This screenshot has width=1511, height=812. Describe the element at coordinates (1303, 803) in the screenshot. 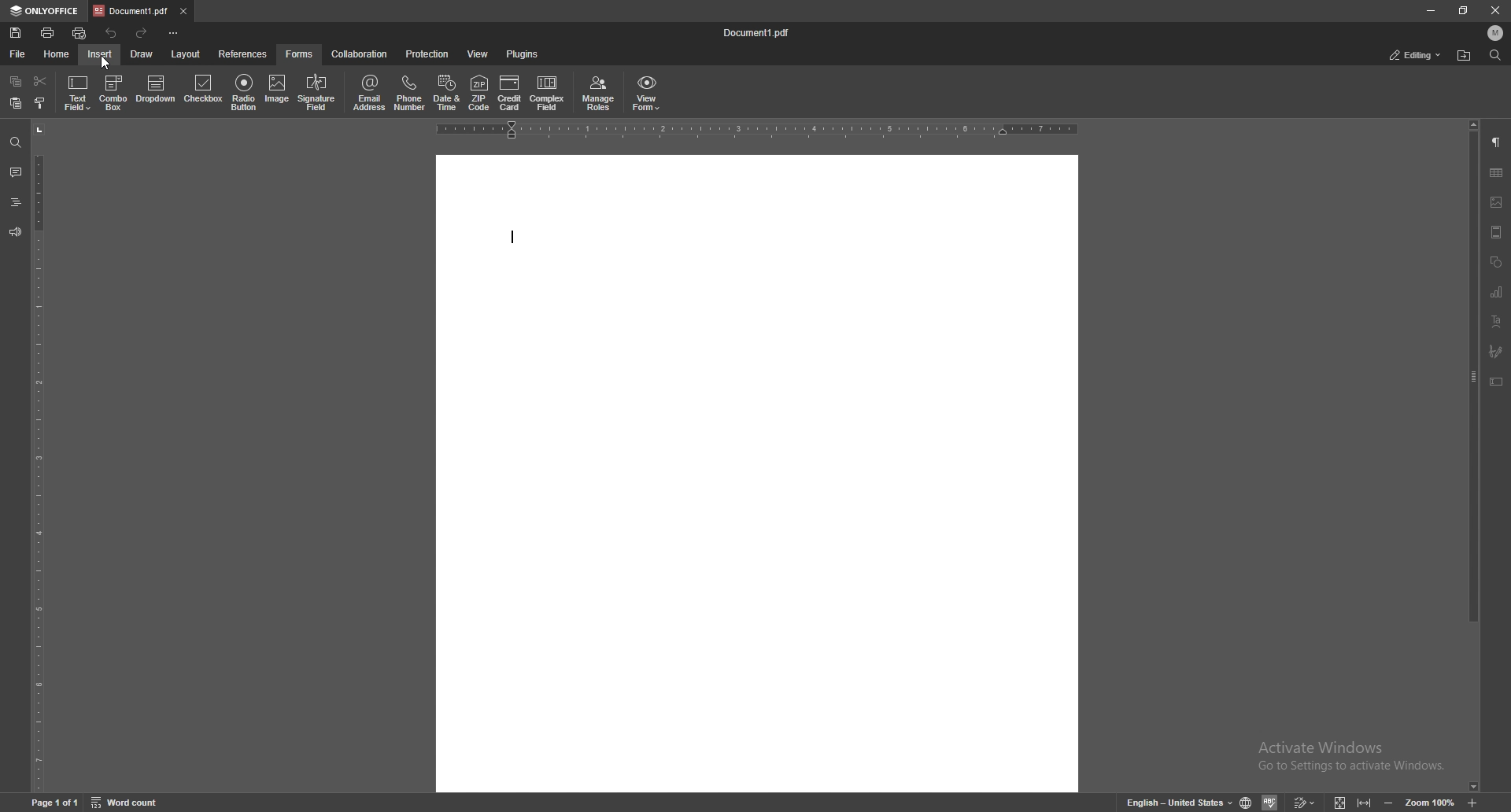

I see `track changes` at that location.